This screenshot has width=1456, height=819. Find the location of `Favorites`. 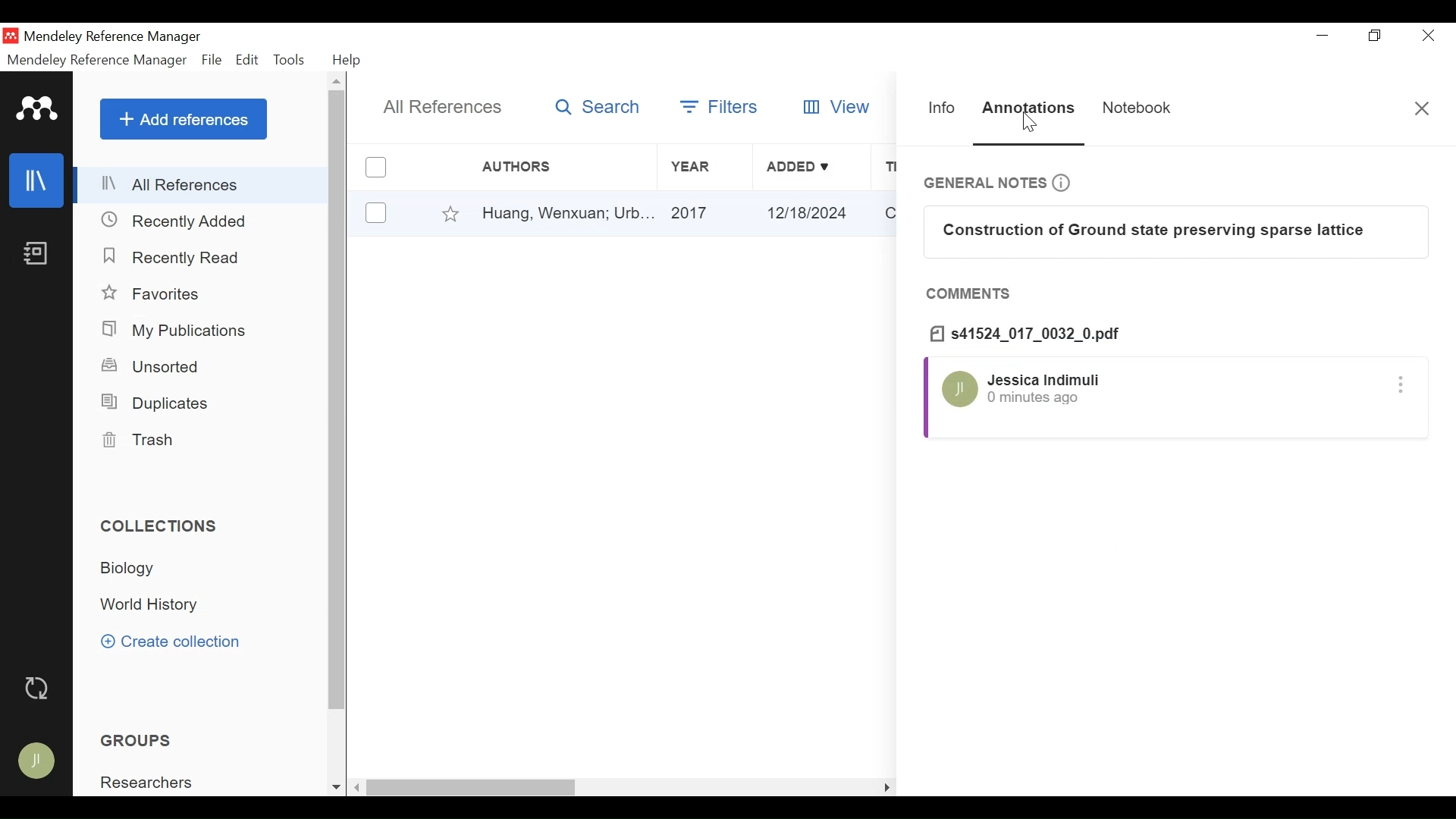

Favorites is located at coordinates (154, 294).